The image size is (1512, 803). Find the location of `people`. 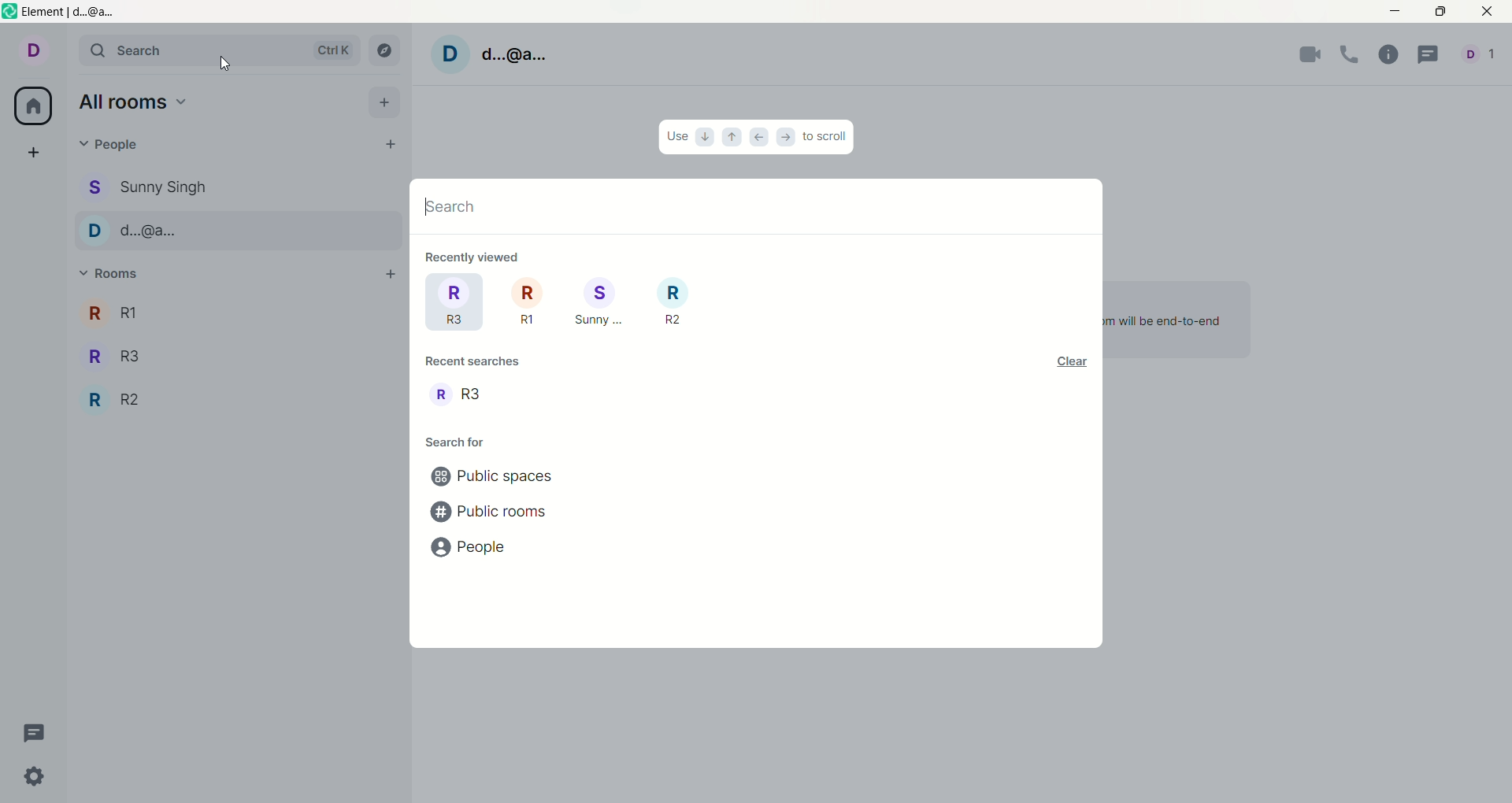

people is located at coordinates (476, 549).